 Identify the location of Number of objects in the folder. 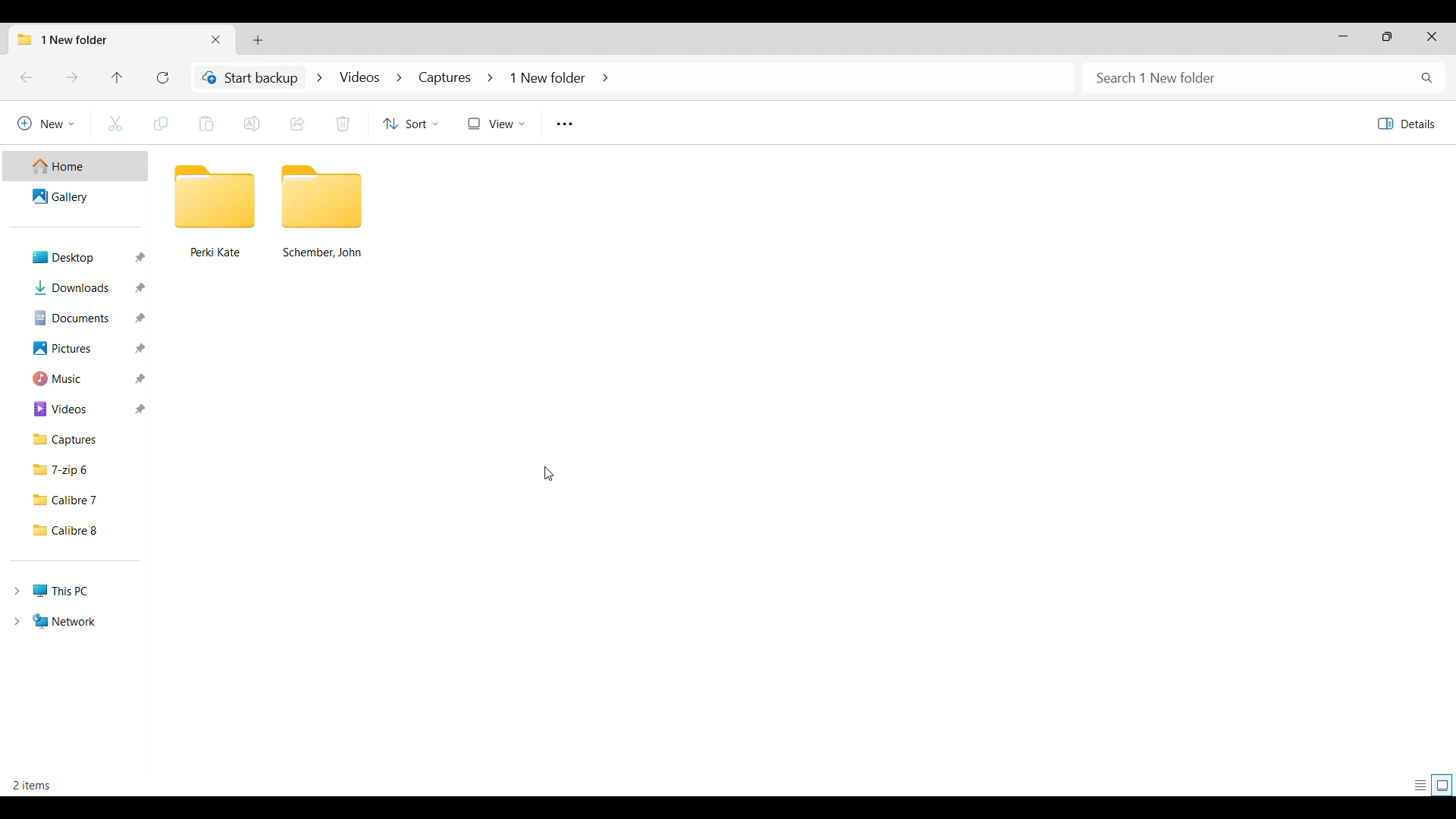
(34, 785).